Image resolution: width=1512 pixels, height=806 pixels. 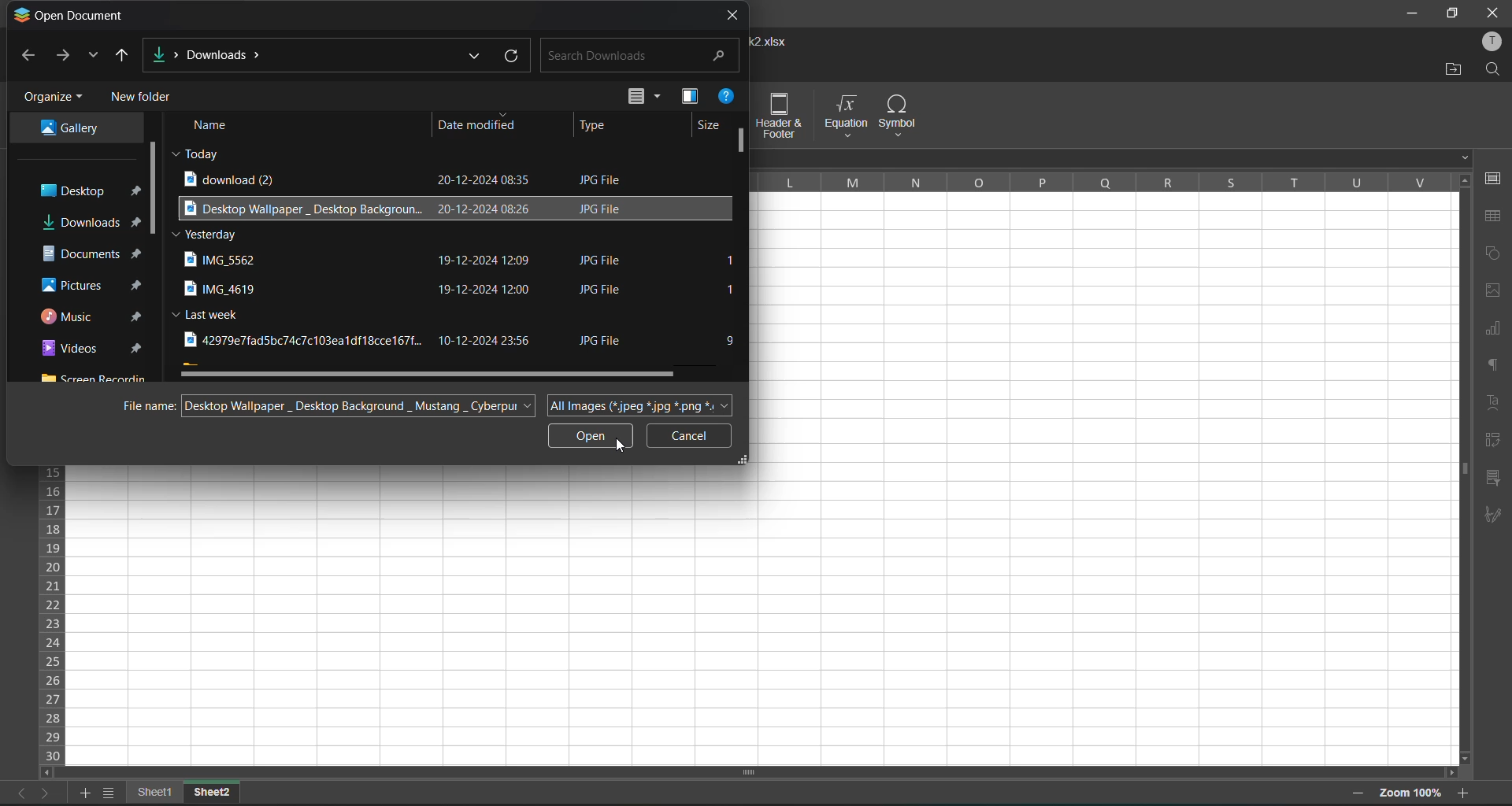 I want to click on back, so click(x=28, y=59).